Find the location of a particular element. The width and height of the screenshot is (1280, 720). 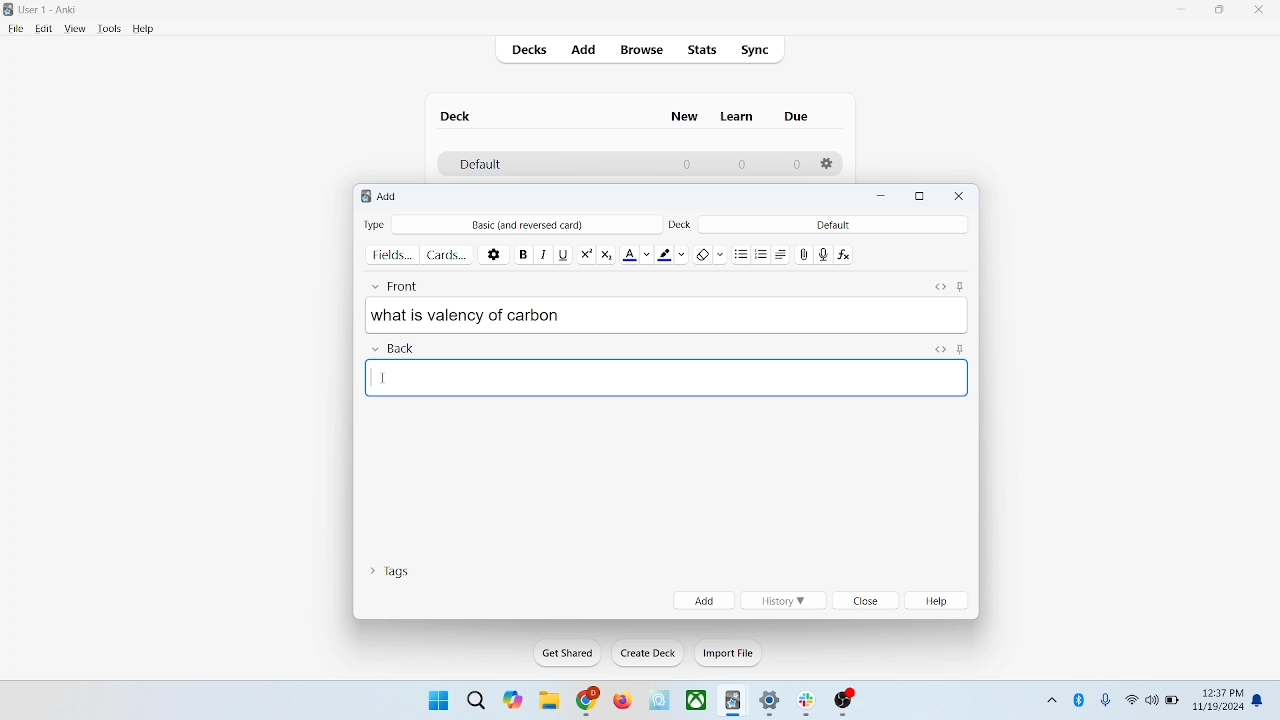

deck is located at coordinates (682, 223).